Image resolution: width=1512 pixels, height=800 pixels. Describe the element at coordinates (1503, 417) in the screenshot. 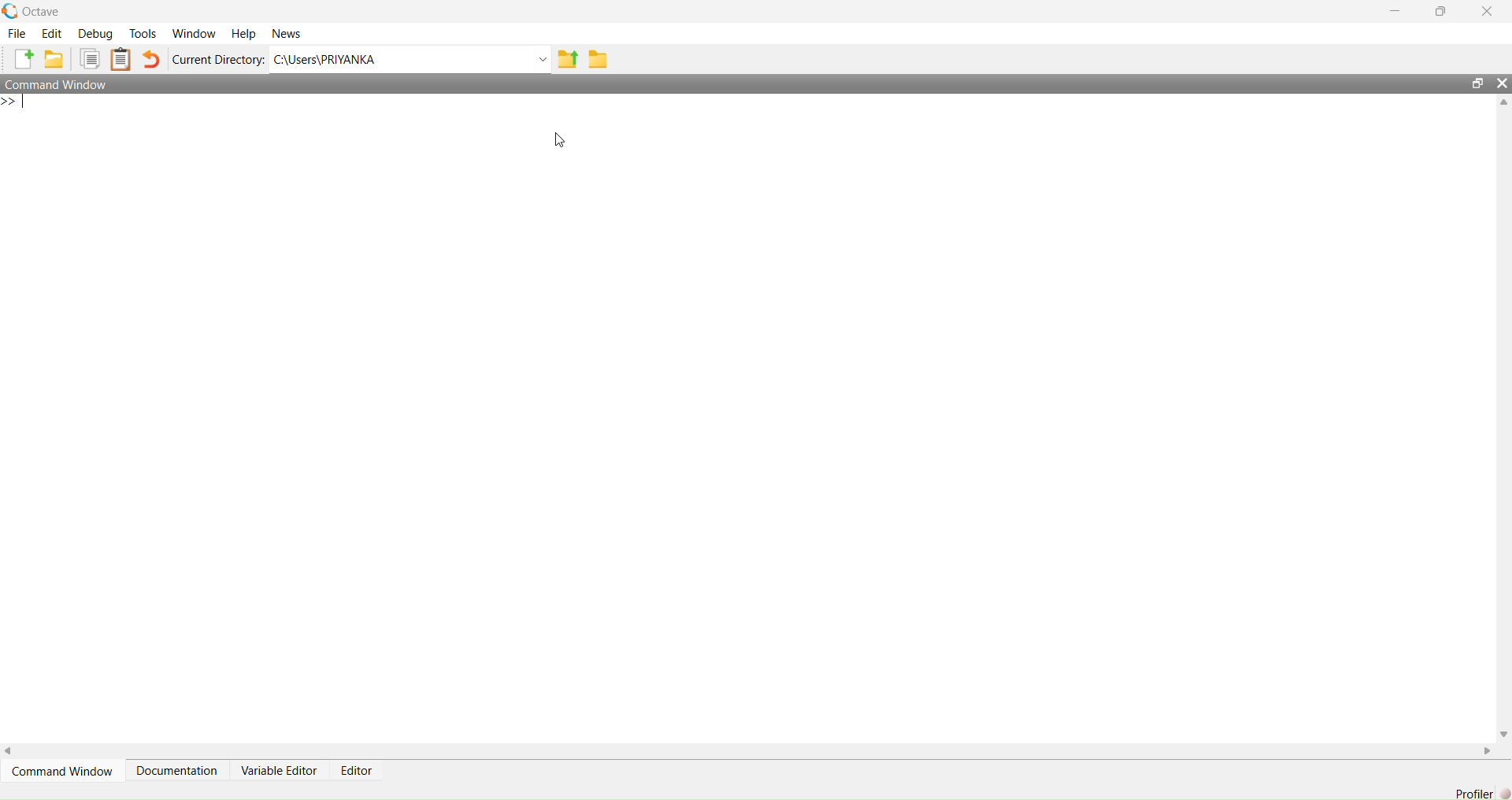

I see `vertical scroll bar` at that location.